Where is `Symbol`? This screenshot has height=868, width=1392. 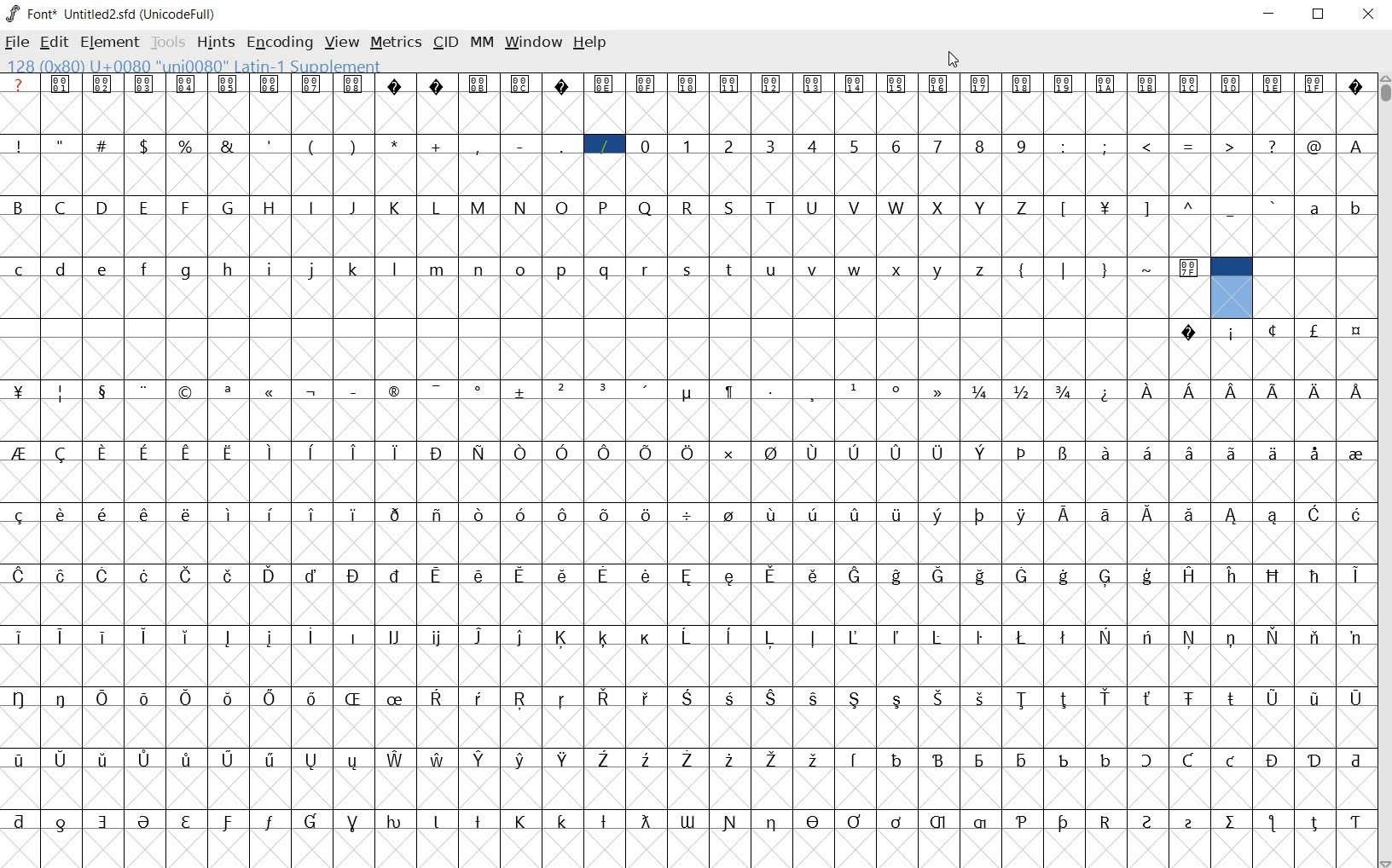
Symbol is located at coordinates (481, 390).